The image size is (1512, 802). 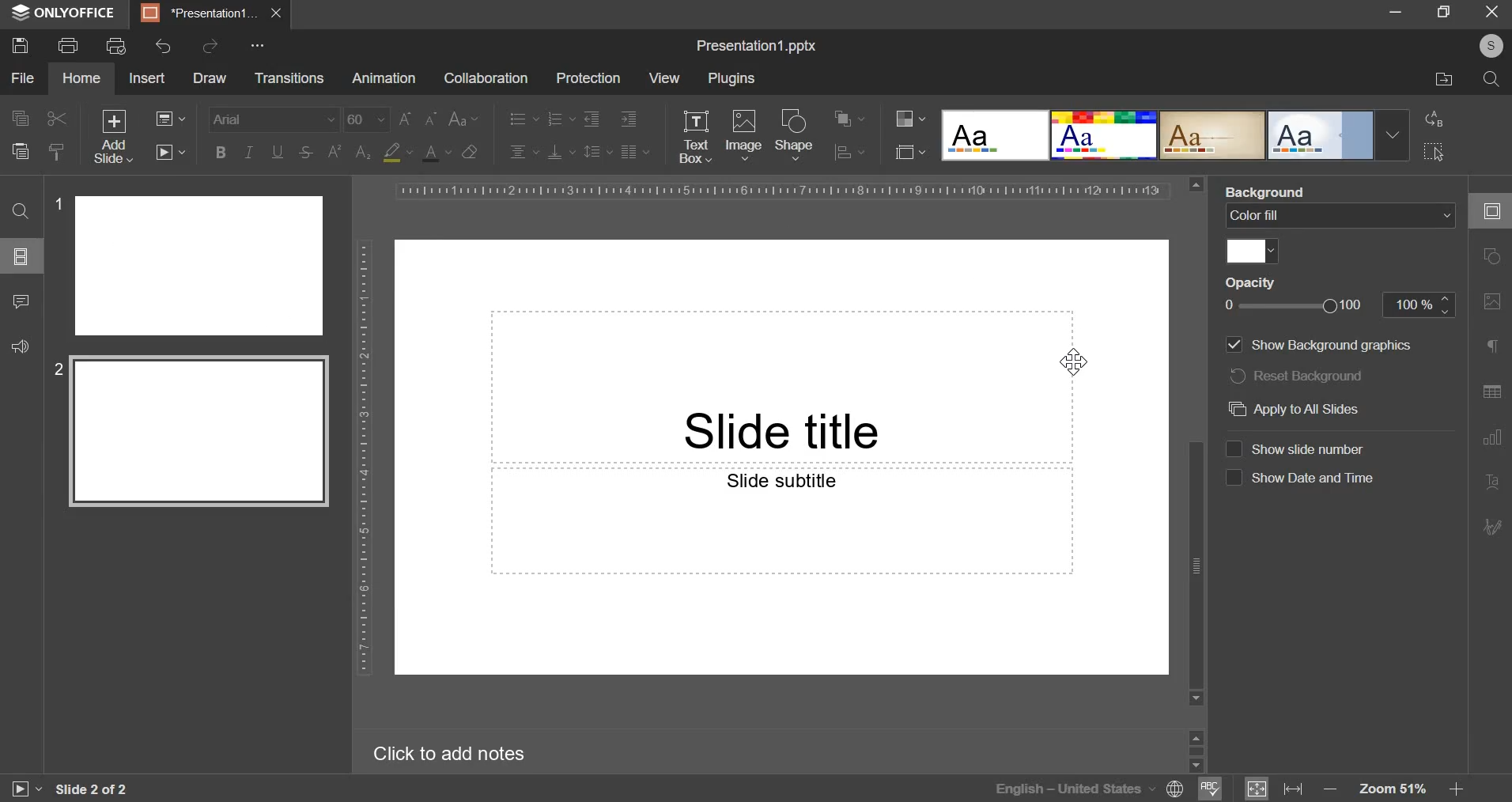 I want to click on clear style, so click(x=57, y=151).